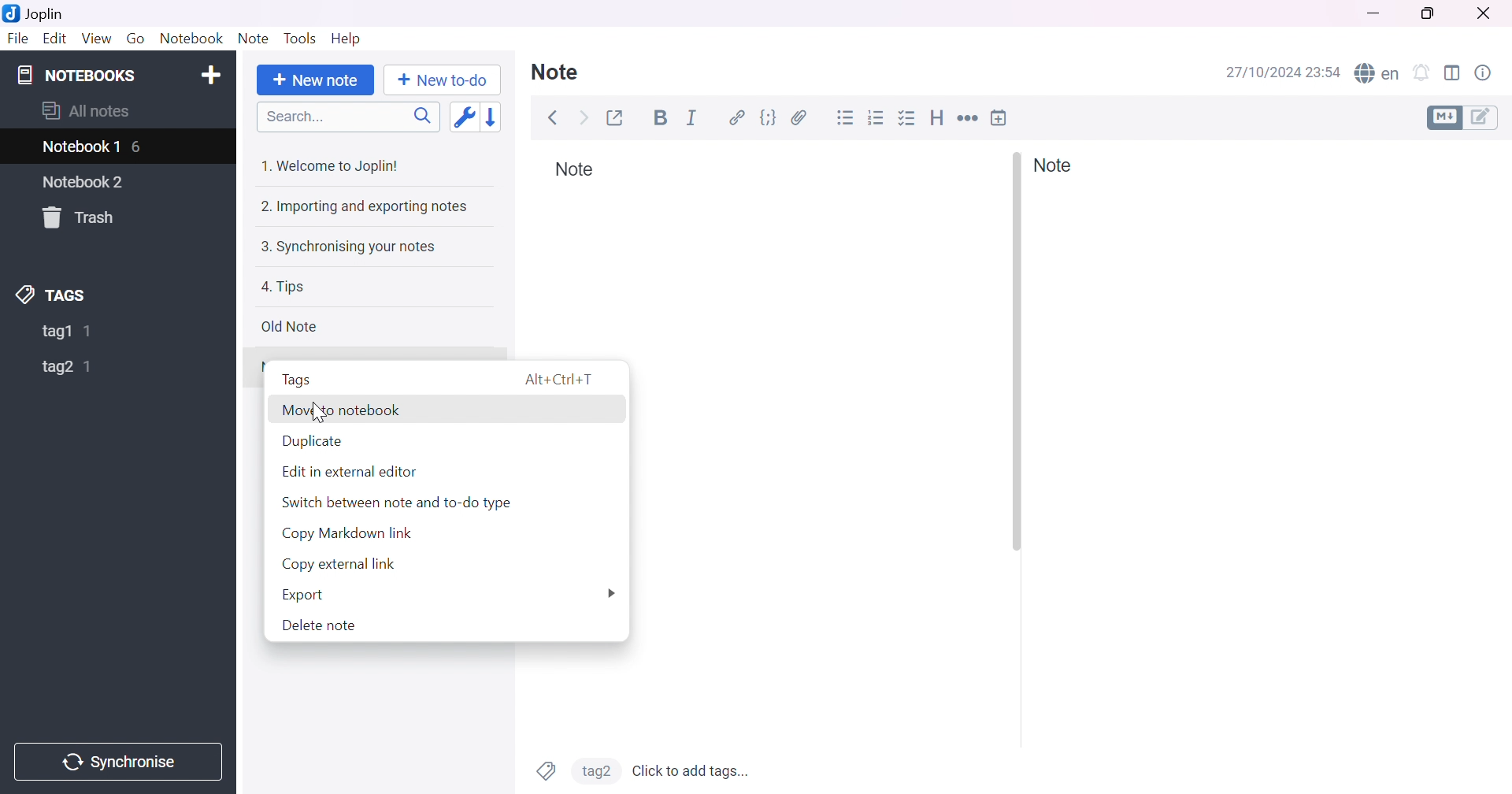 The image size is (1512, 794). Describe the element at coordinates (1284, 72) in the screenshot. I see `27/10/2024 23:54` at that location.